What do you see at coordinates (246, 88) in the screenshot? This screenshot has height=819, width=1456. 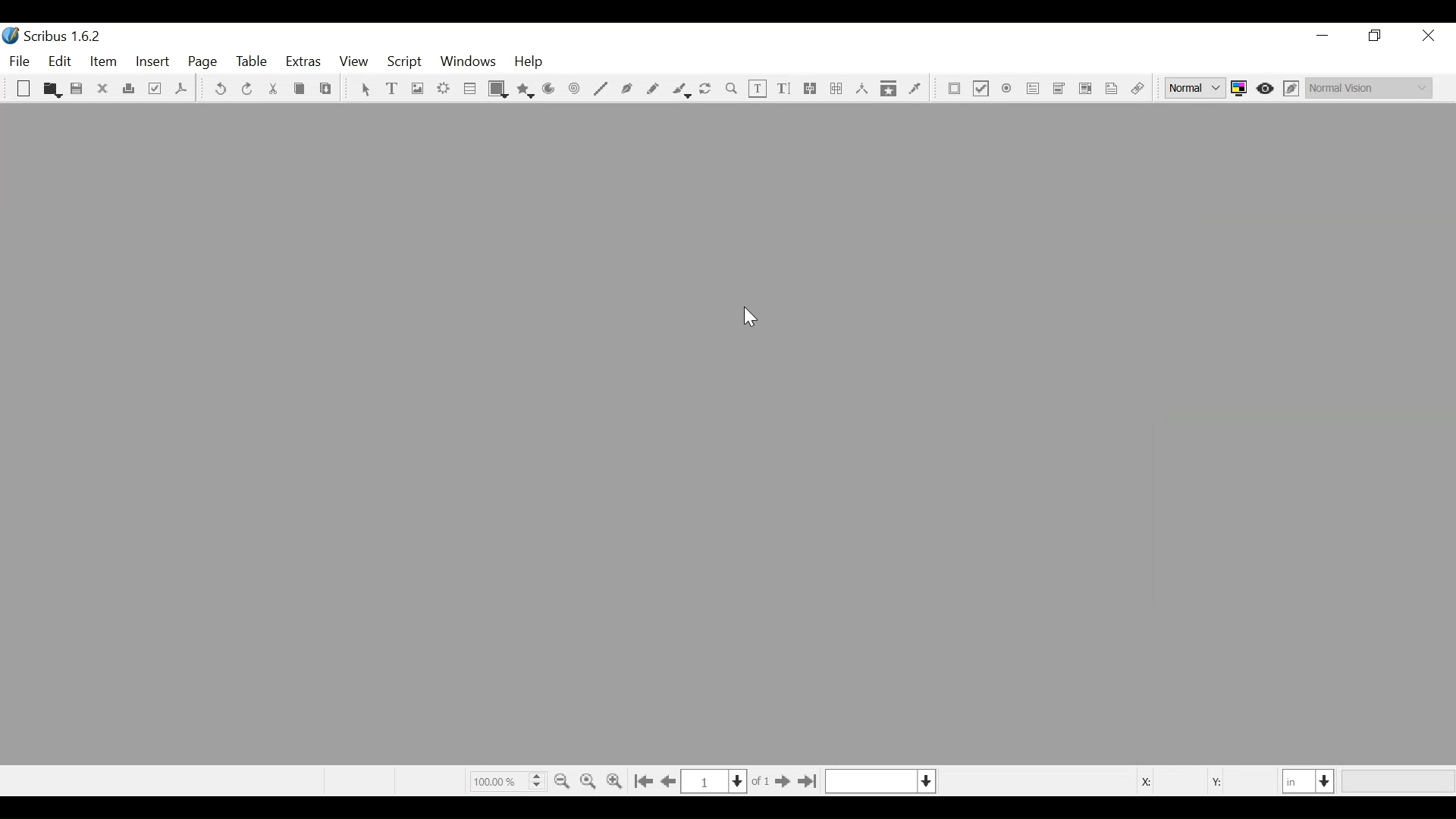 I see `Redo` at bounding box center [246, 88].